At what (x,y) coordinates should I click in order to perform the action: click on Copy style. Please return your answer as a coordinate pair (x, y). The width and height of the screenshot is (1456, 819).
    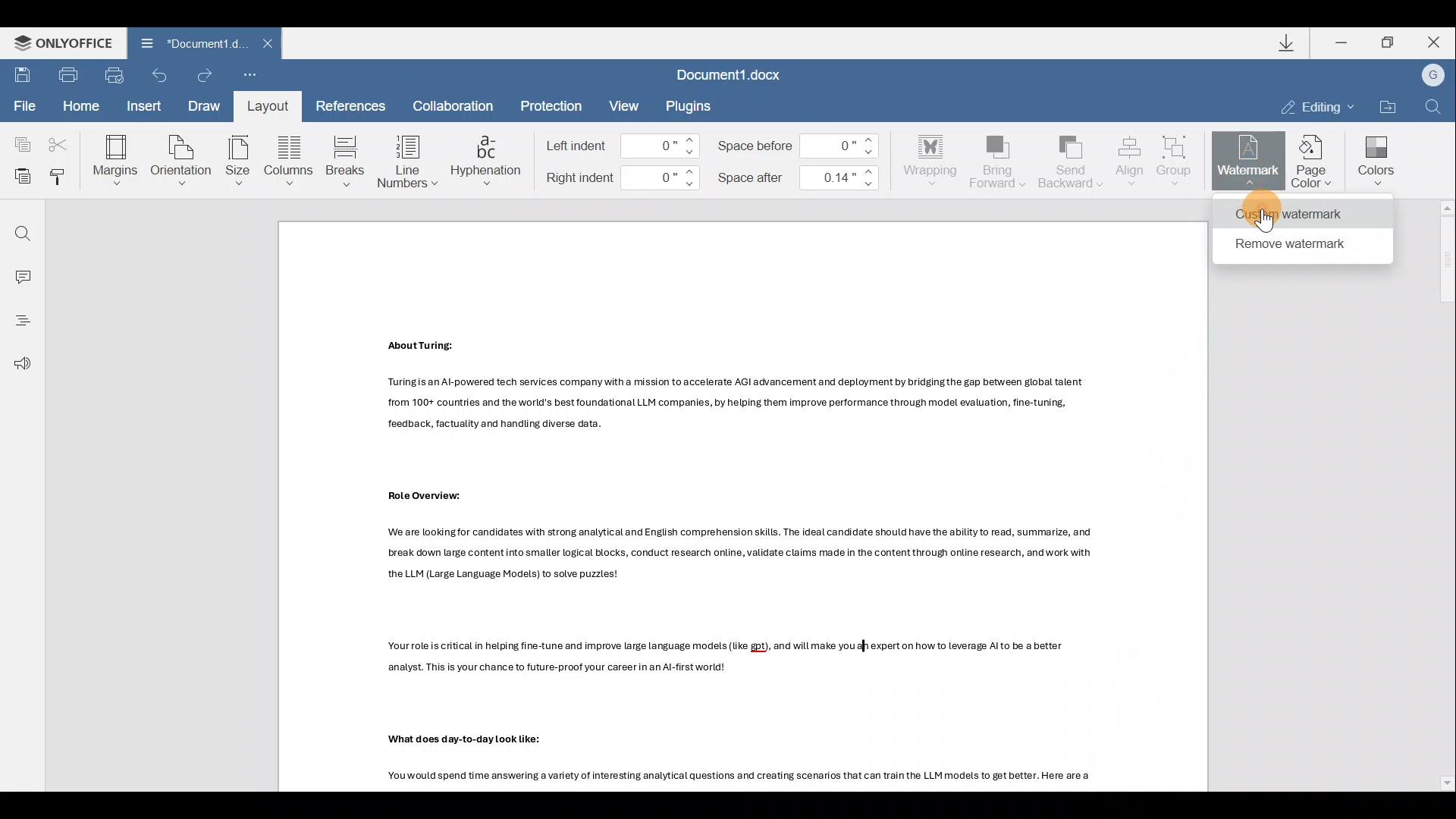
    Looking at the image, I should click on (62, 179).